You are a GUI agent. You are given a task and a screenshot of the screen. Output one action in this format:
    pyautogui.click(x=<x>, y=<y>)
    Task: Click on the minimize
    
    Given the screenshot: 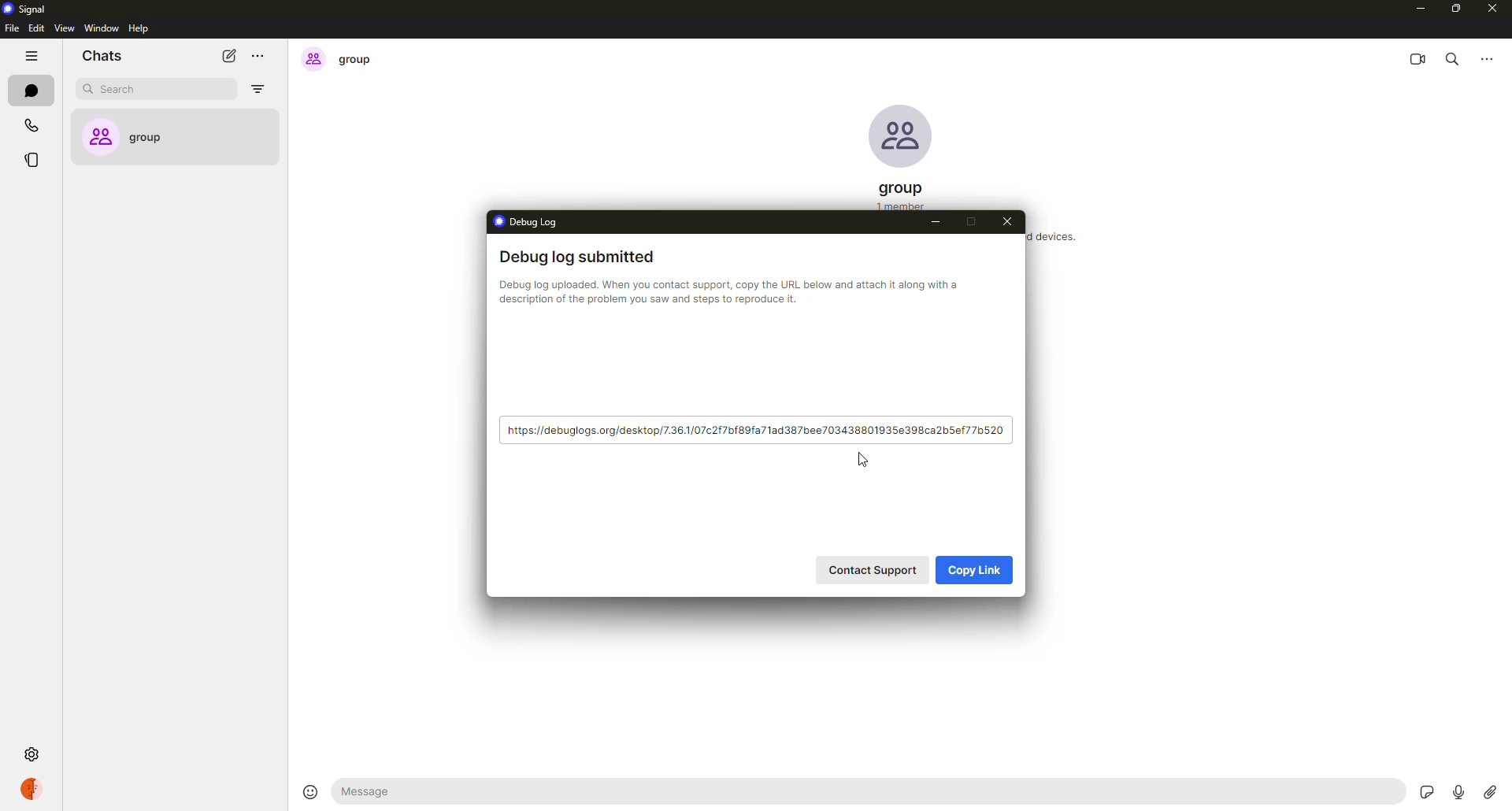 What is the action you would take?
    pyautogui.click(x=936, y=223)
    